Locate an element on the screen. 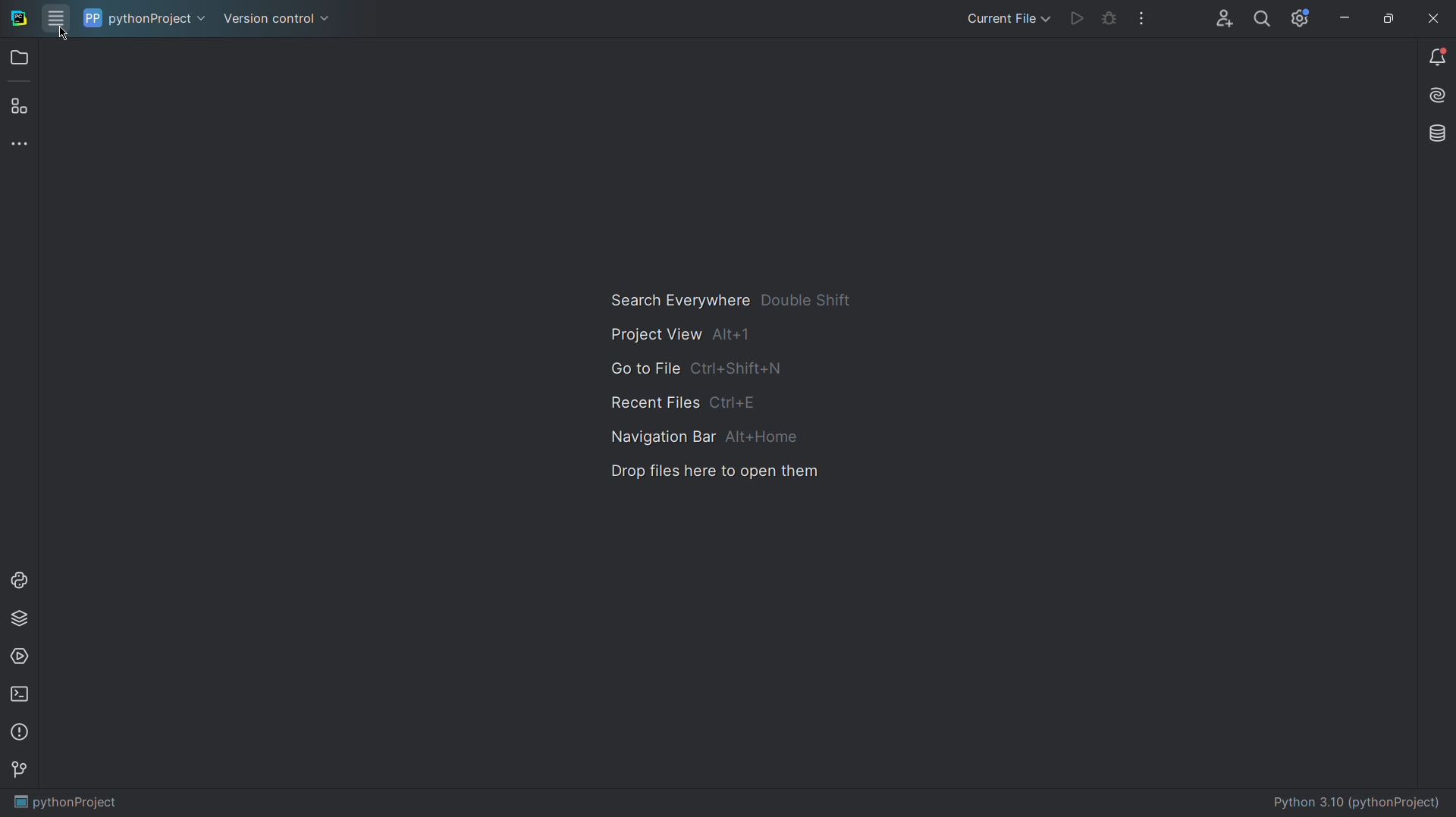  Drop files here to open them is located at coordinates (720, 471).